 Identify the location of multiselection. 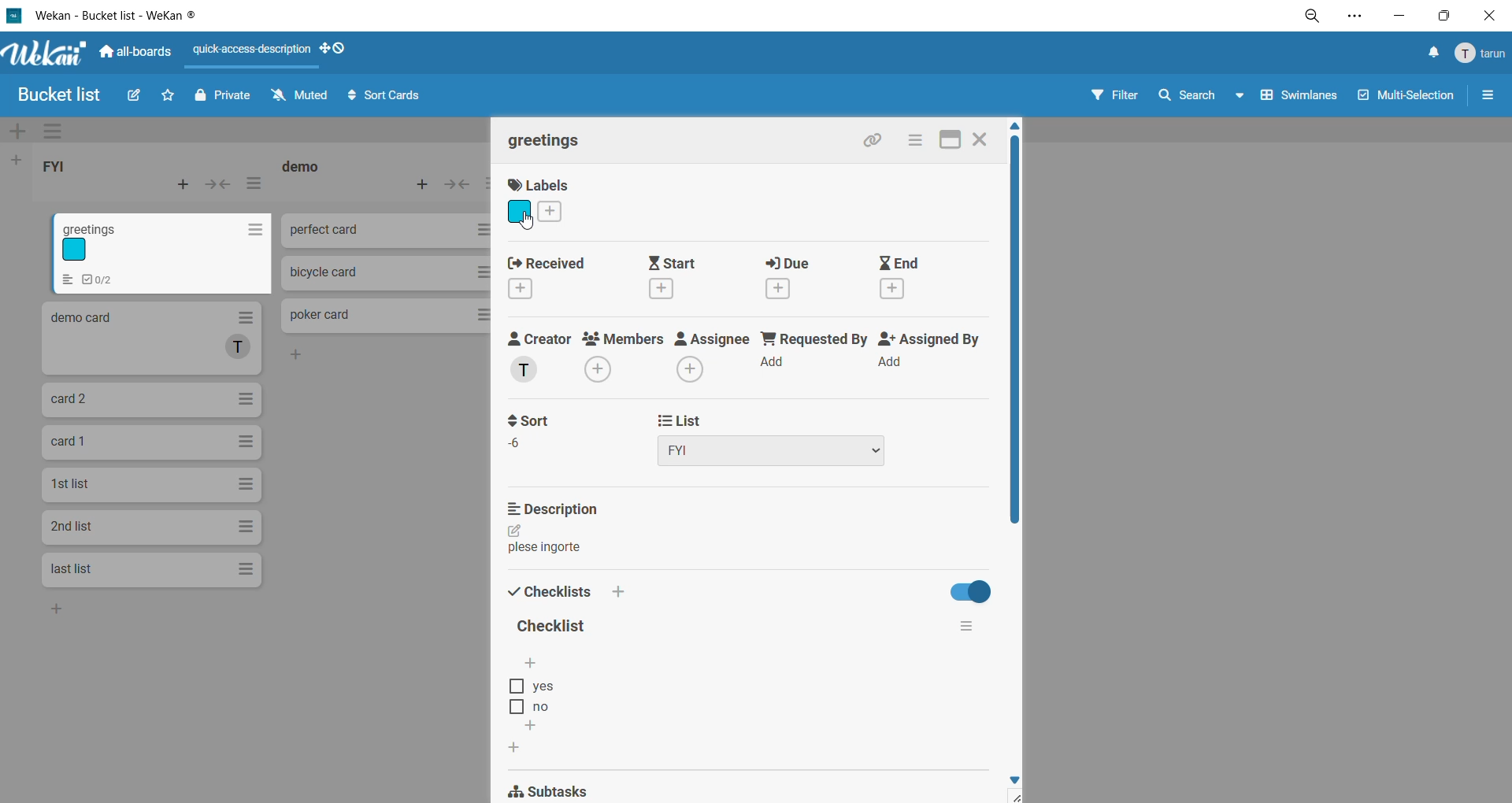
(1406, 102).